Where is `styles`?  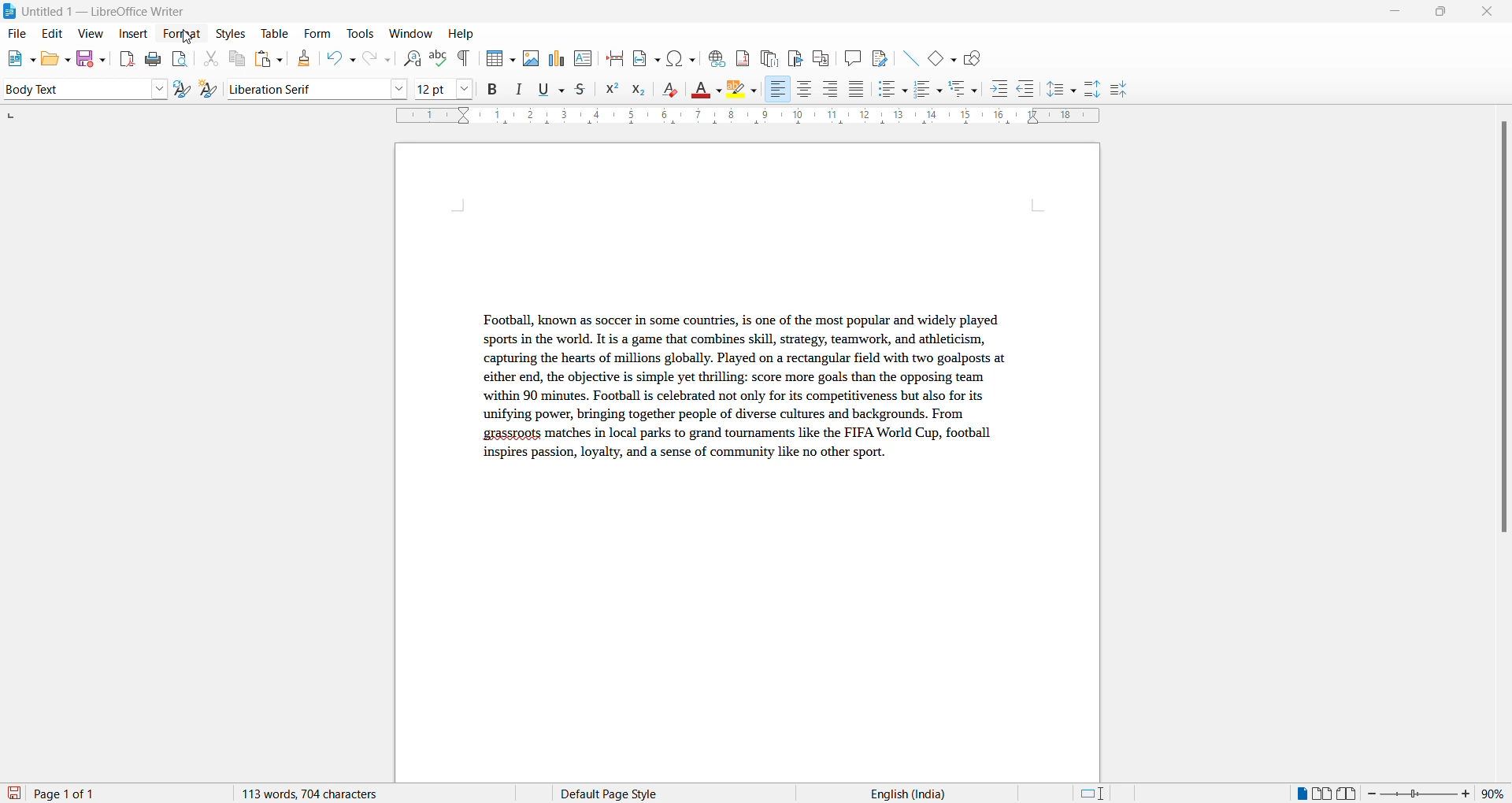
styles is located at coordinates (230, 32).